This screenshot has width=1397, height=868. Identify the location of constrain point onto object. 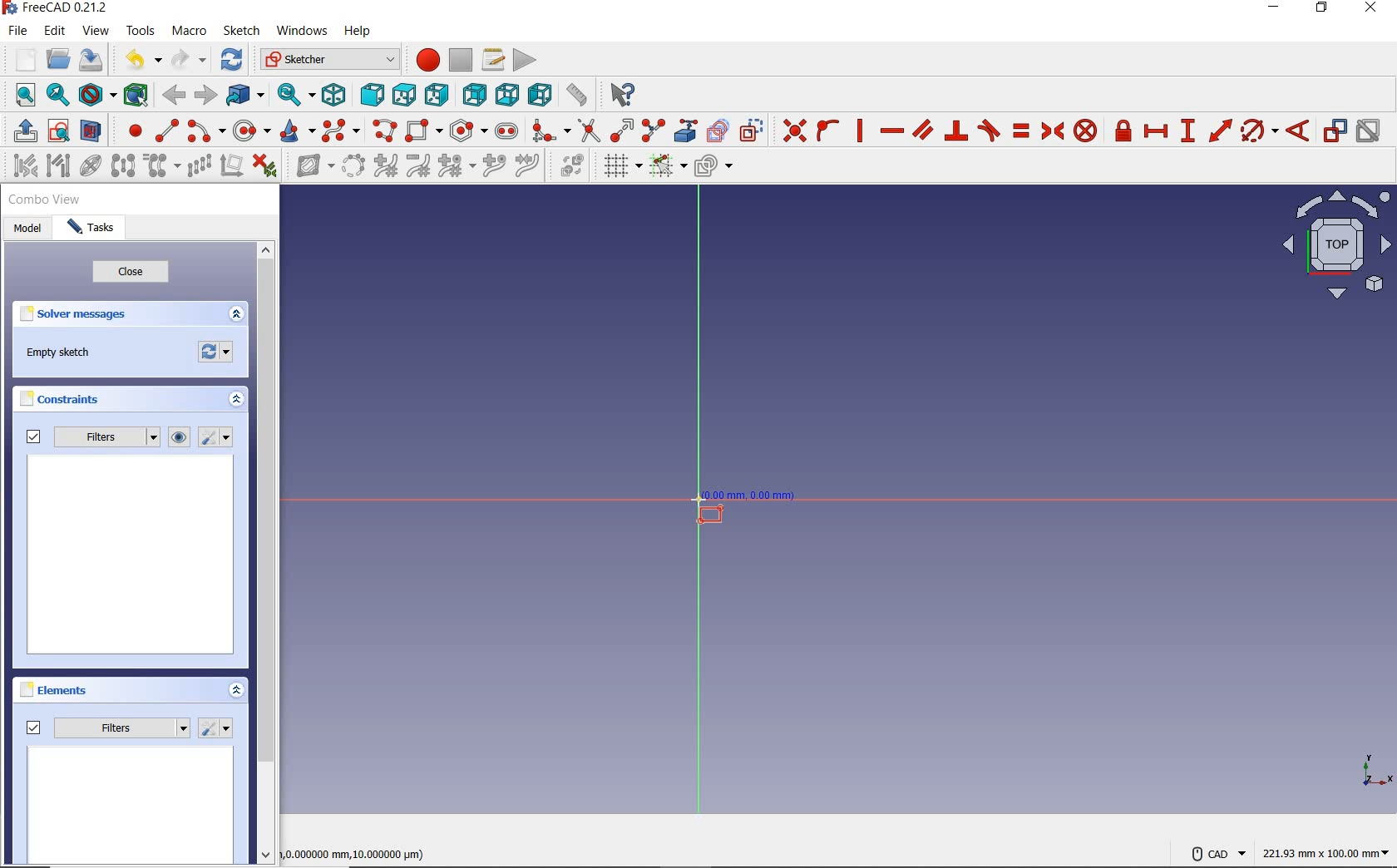
(827, 131).